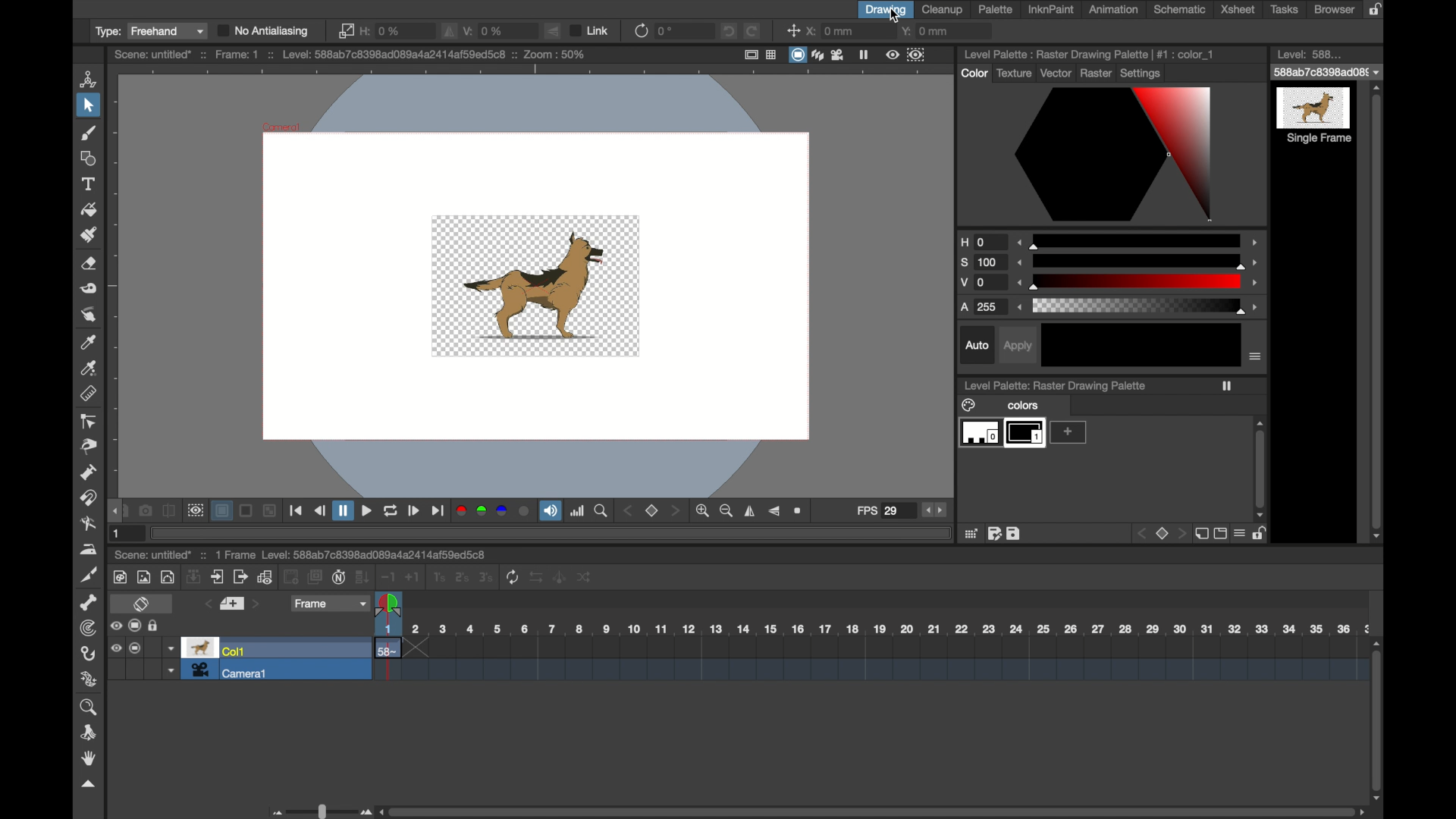  Describe the element at coordinates (450, 32) in the screenshot. I see `flip horizontally` at that location.